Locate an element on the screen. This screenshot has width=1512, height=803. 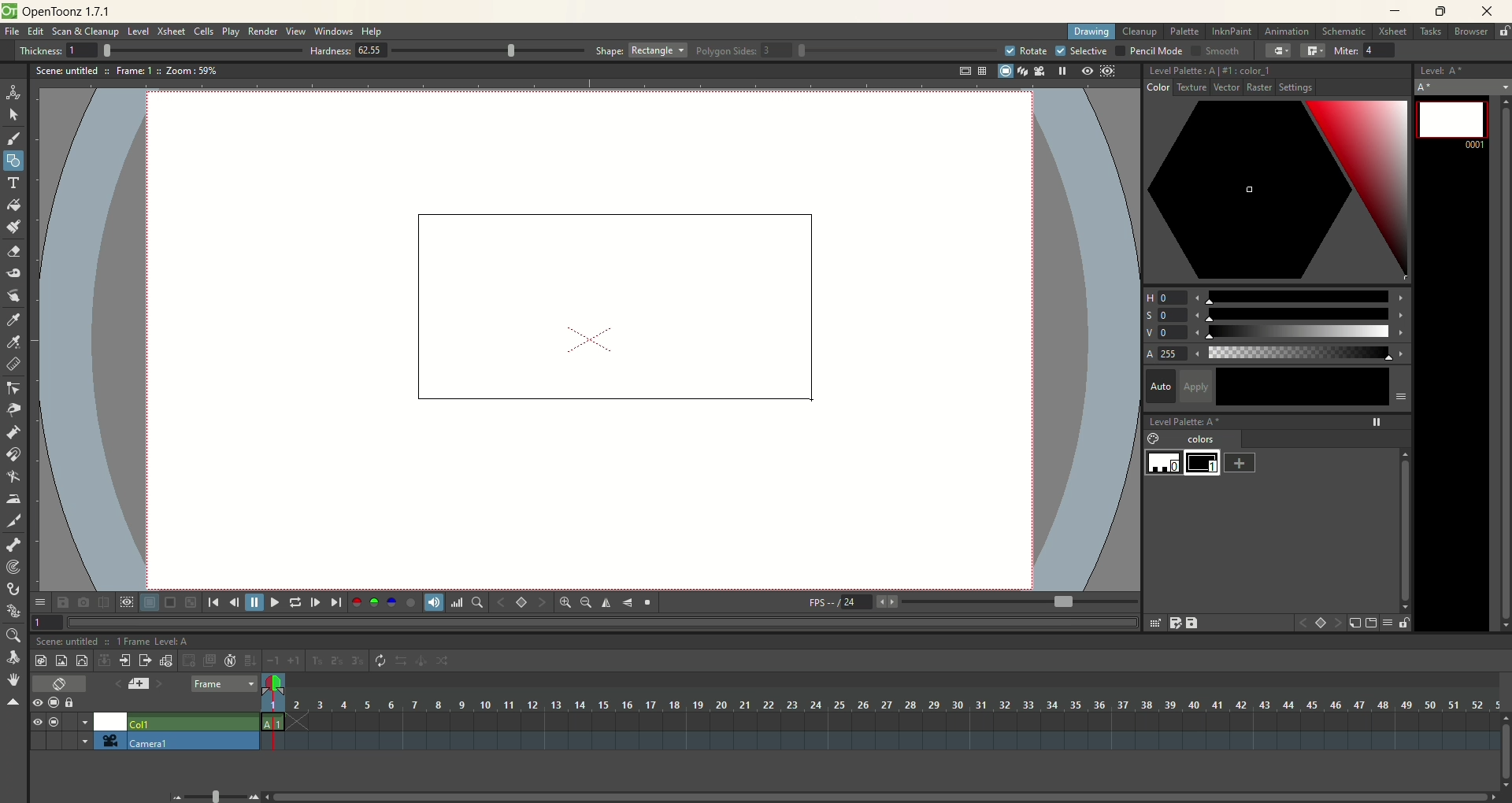
reverse is located at coordinates (402, 661).